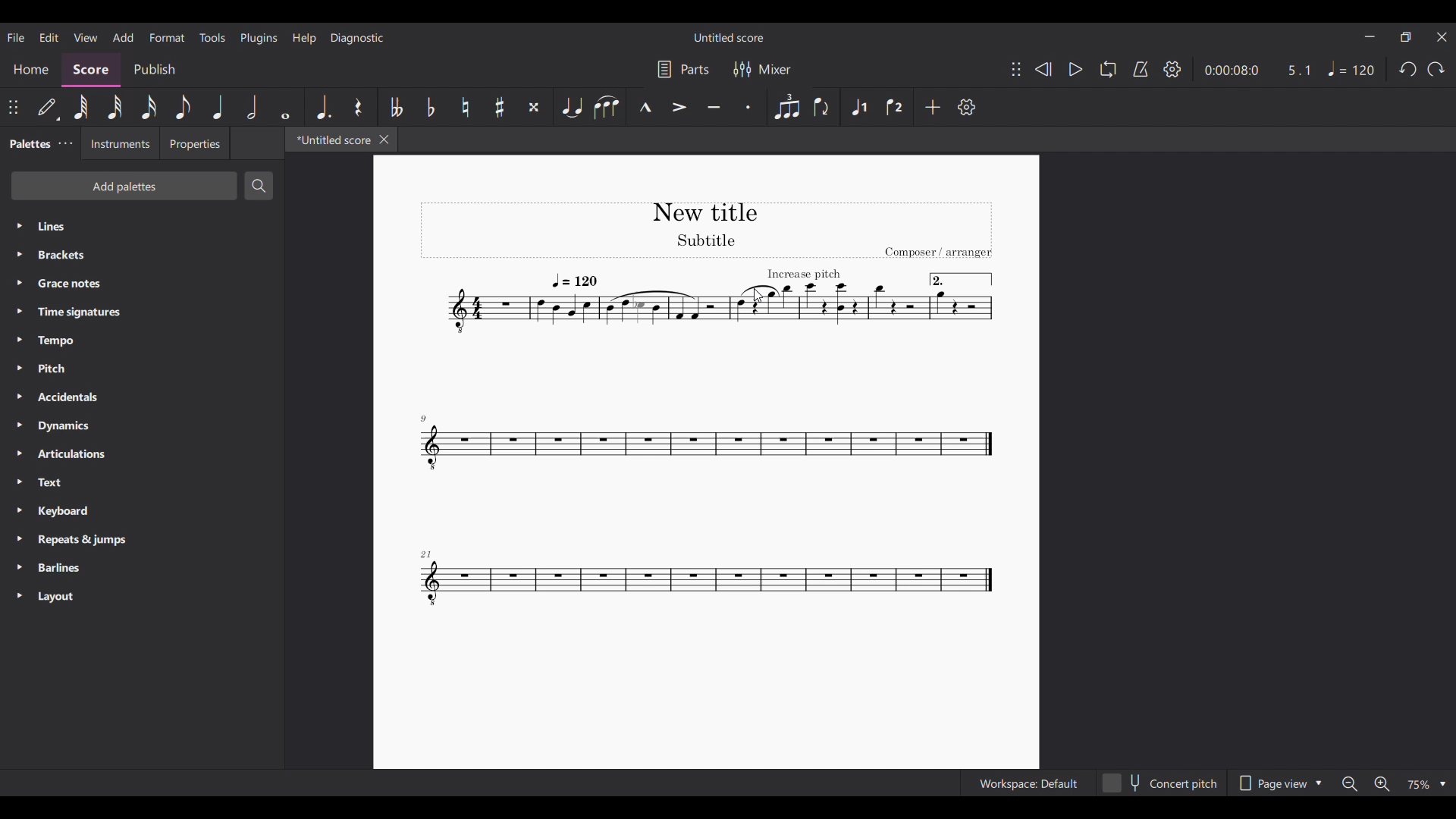 This screenshot has width=1456, height=819. I want to click on Time signatures, so click(142, 312).